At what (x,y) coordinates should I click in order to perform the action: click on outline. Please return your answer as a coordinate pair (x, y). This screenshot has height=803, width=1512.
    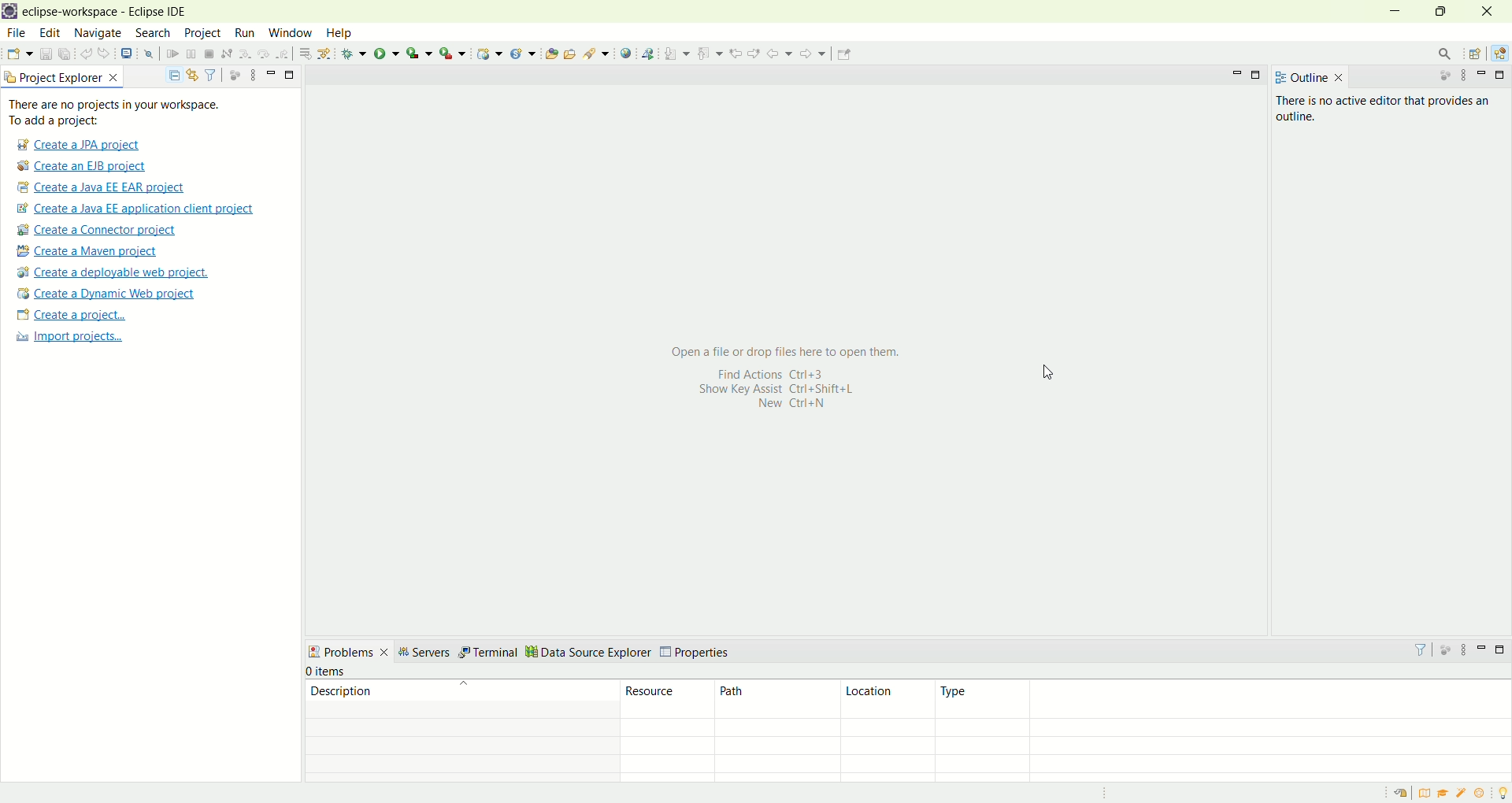
    Looking at the image, I should click on (1309, 77).